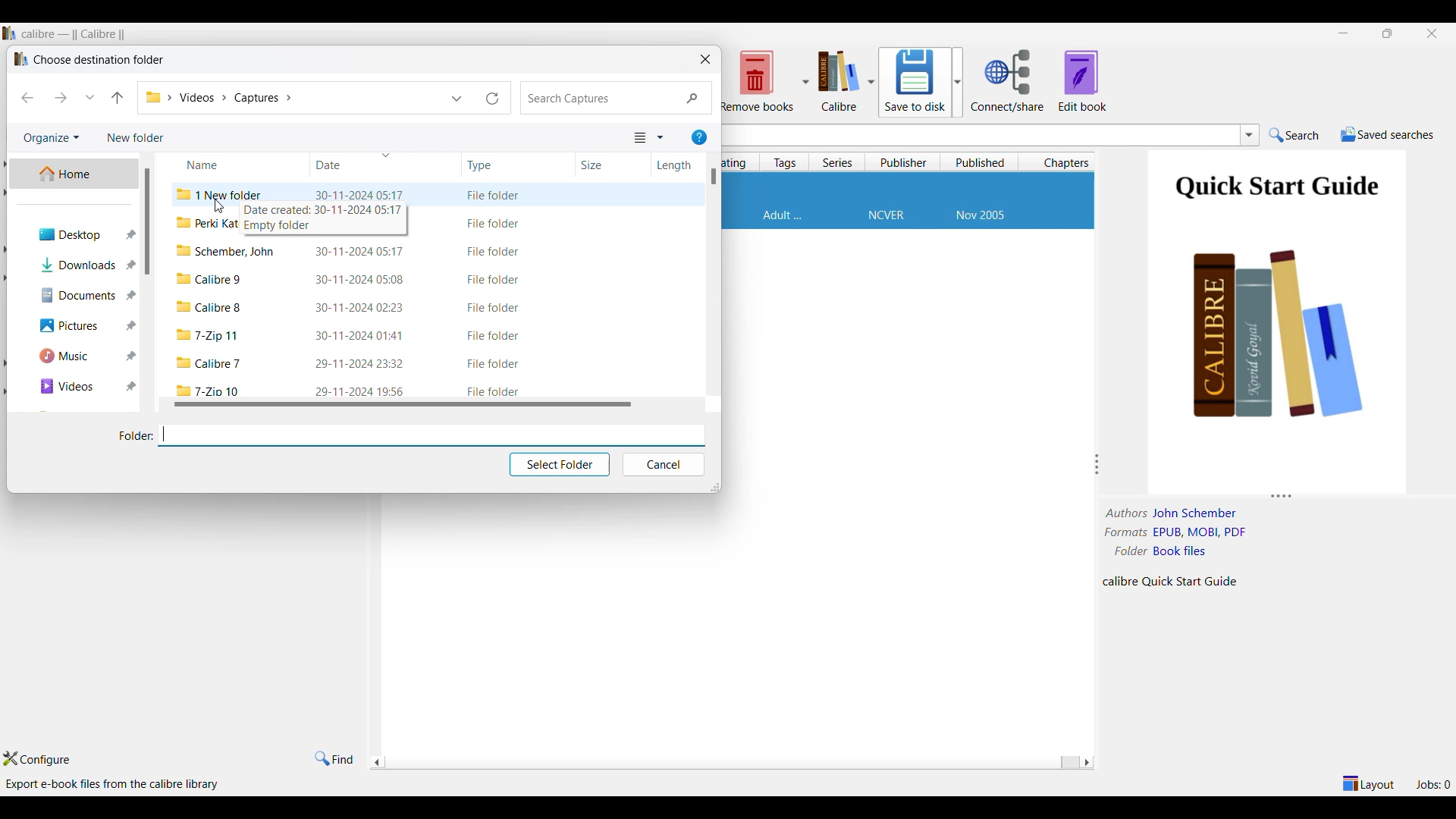 This screenshot has width=1456, height=819. What do you see at coordinates (457, 99) in the screenshot?
I see `List of folder options` at bounding box center [457, 99].